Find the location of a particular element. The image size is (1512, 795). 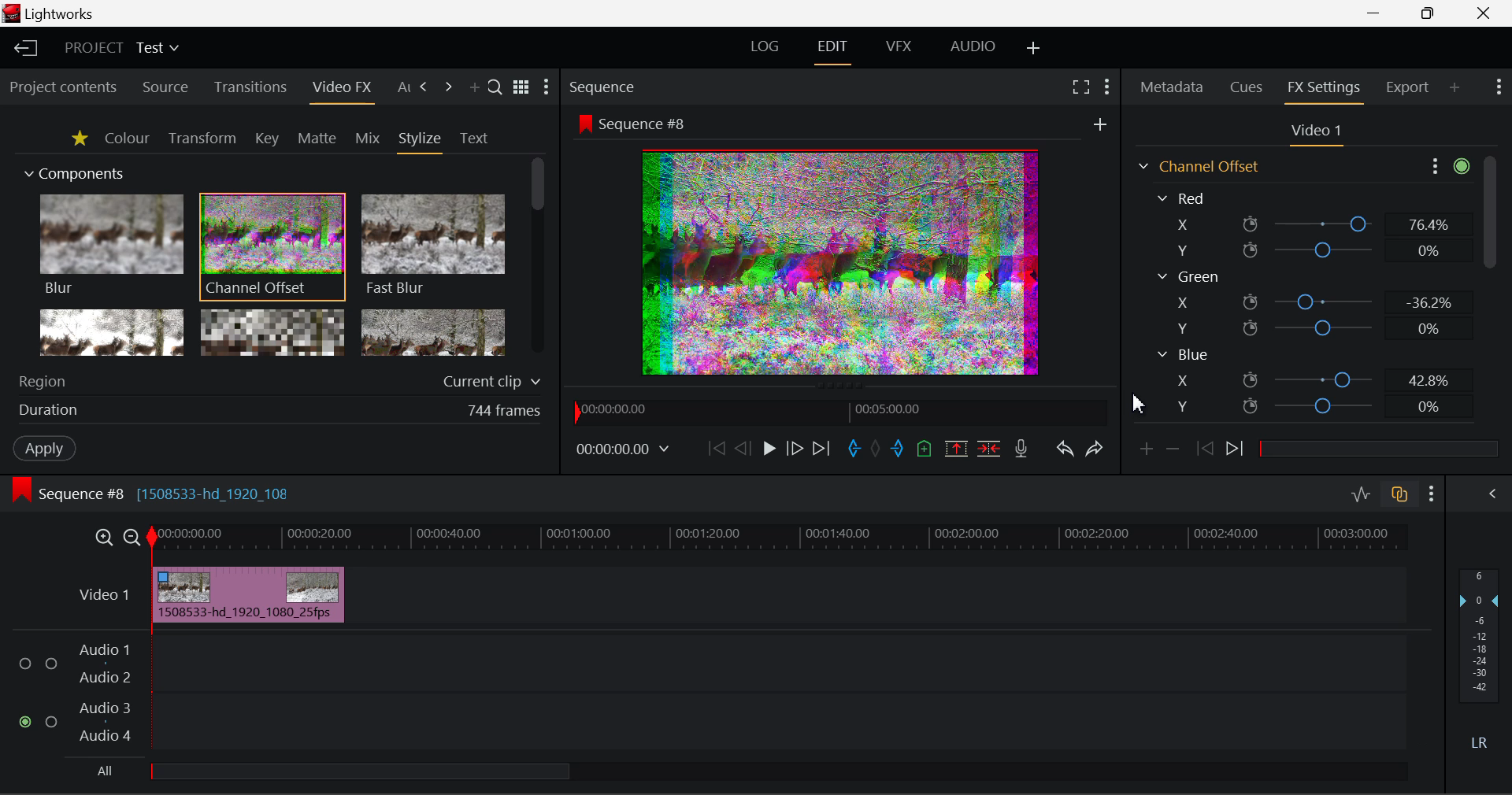

Full Screen is located at coordinates (1082, 89).